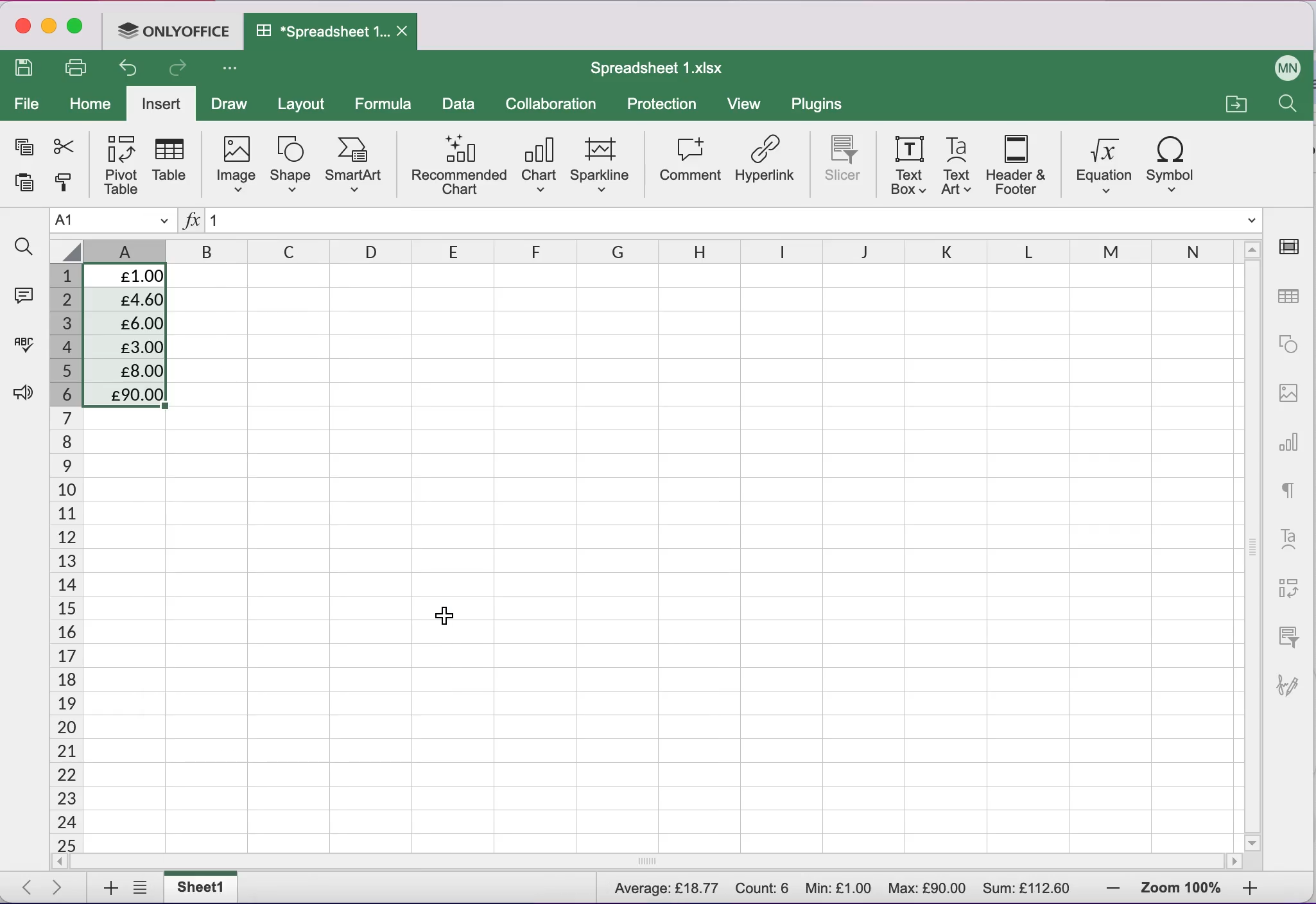 The image size is (1316, 904). I want to click on text art, so click(956, 166).